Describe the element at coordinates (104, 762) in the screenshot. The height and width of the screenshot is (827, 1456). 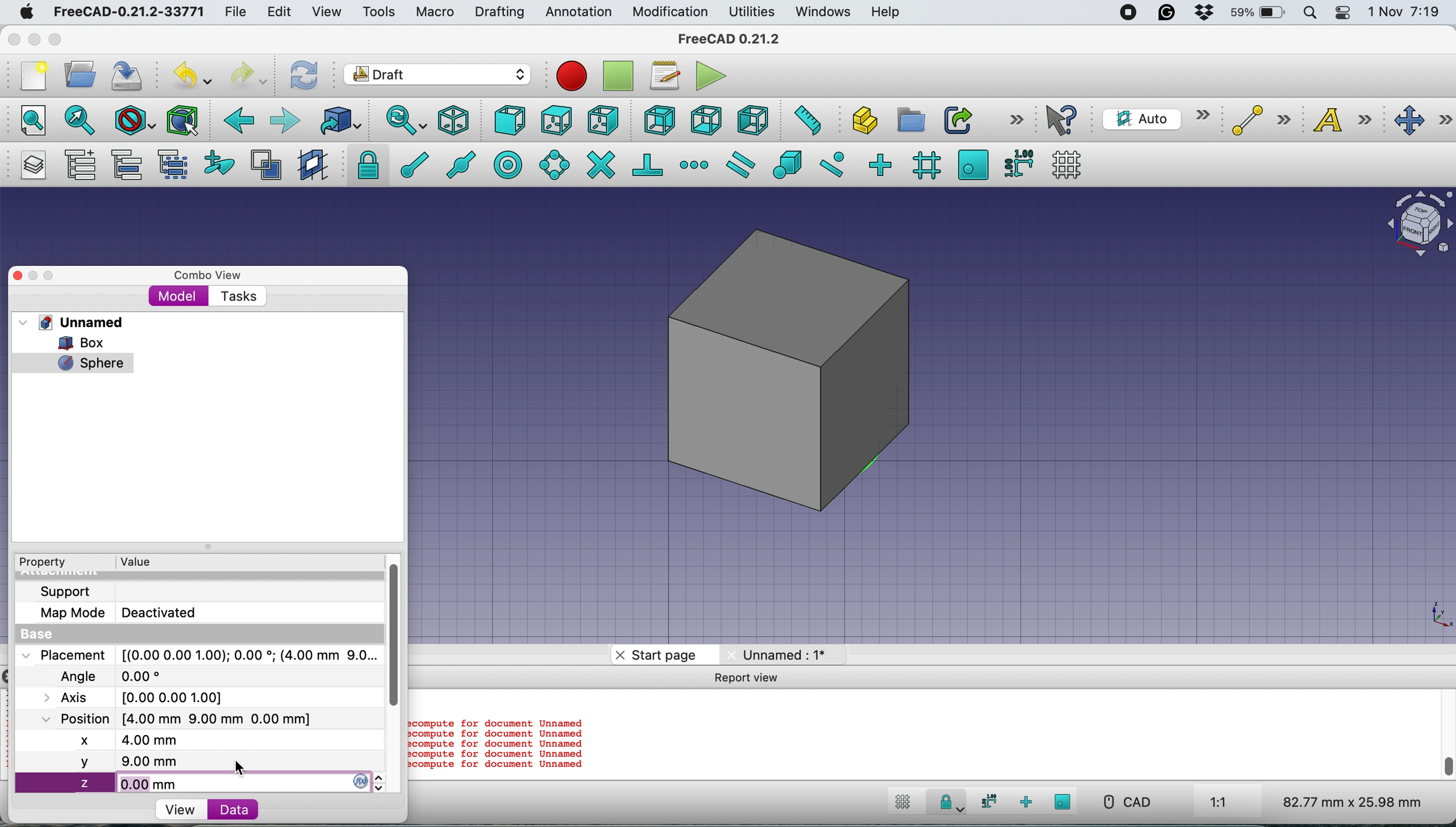
I see `new y axis value` at that location.